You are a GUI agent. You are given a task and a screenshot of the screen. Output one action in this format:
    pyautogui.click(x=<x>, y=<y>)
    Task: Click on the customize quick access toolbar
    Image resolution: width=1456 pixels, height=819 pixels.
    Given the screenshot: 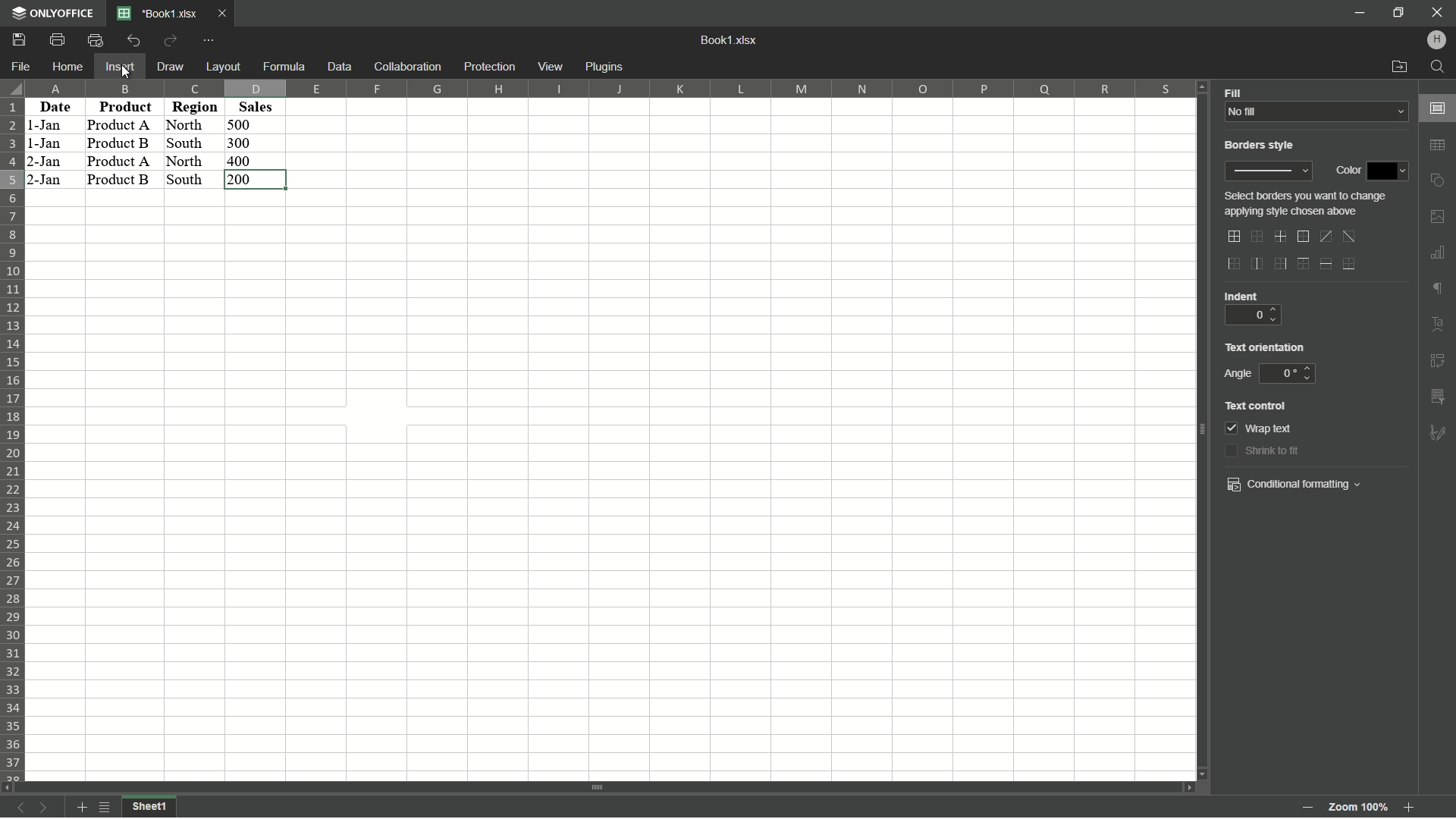 What is the action you would take?
    pyautogui.click(x=210, y=42)
    